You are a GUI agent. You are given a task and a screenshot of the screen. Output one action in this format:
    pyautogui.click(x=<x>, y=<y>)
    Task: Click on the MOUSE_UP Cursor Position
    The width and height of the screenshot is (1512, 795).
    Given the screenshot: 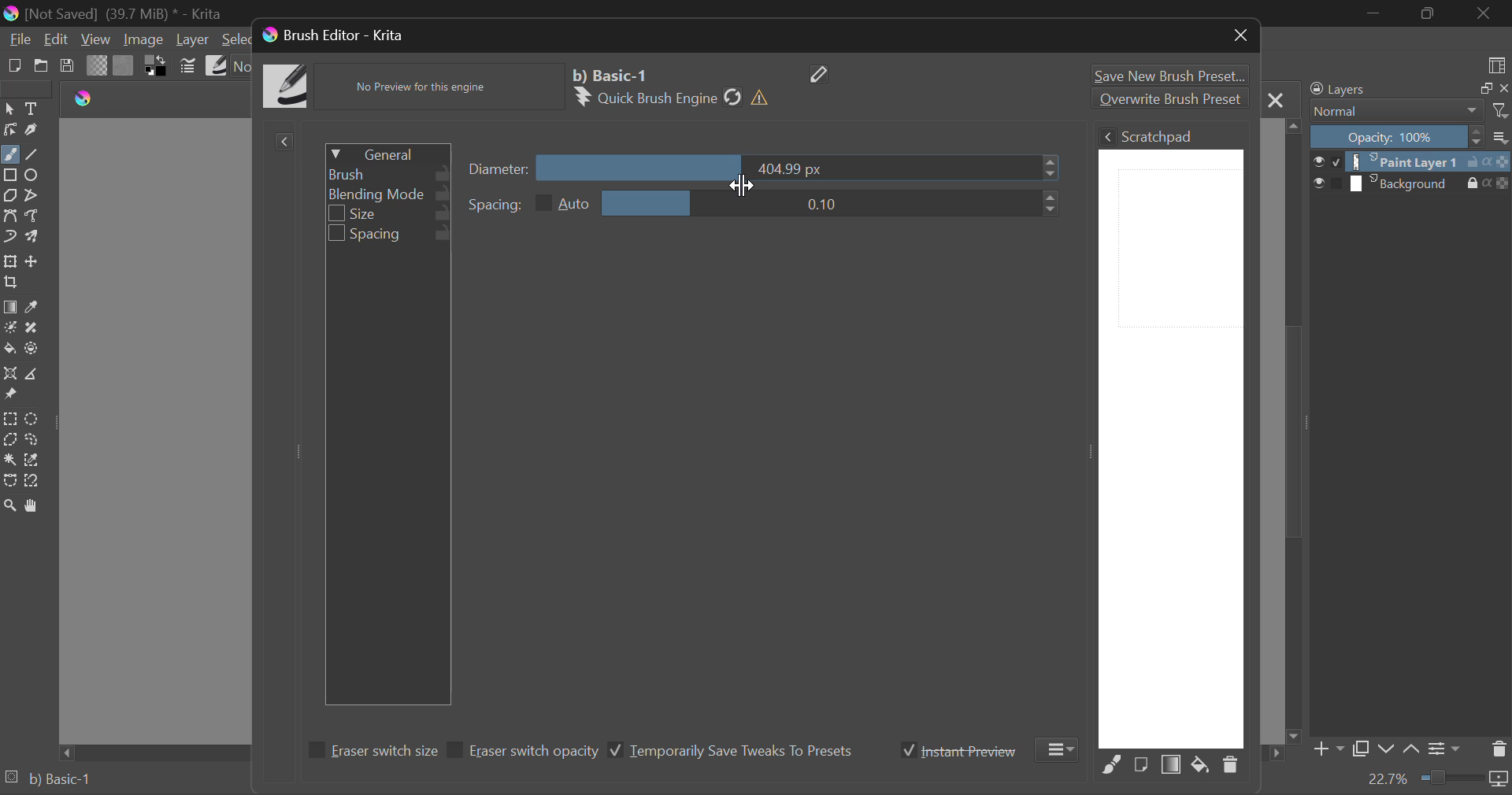 What is the action you would take?
    pyautogui.click(x=742, y=165)
    